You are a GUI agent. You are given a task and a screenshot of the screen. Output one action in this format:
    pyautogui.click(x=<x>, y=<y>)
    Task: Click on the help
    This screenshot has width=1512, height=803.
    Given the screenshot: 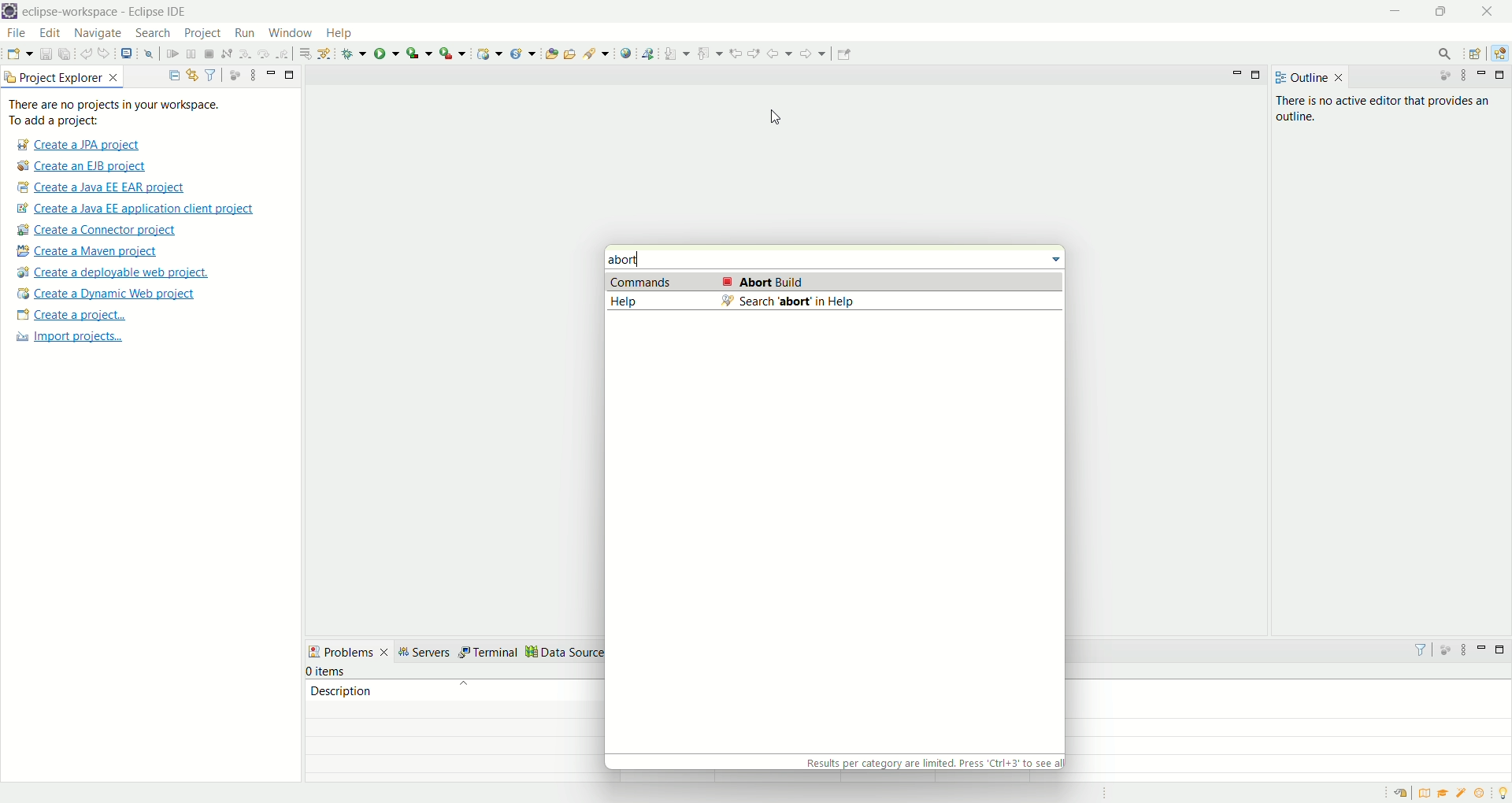 What is the action you would take?
    pyautogui.click(x=338, y=34)
    